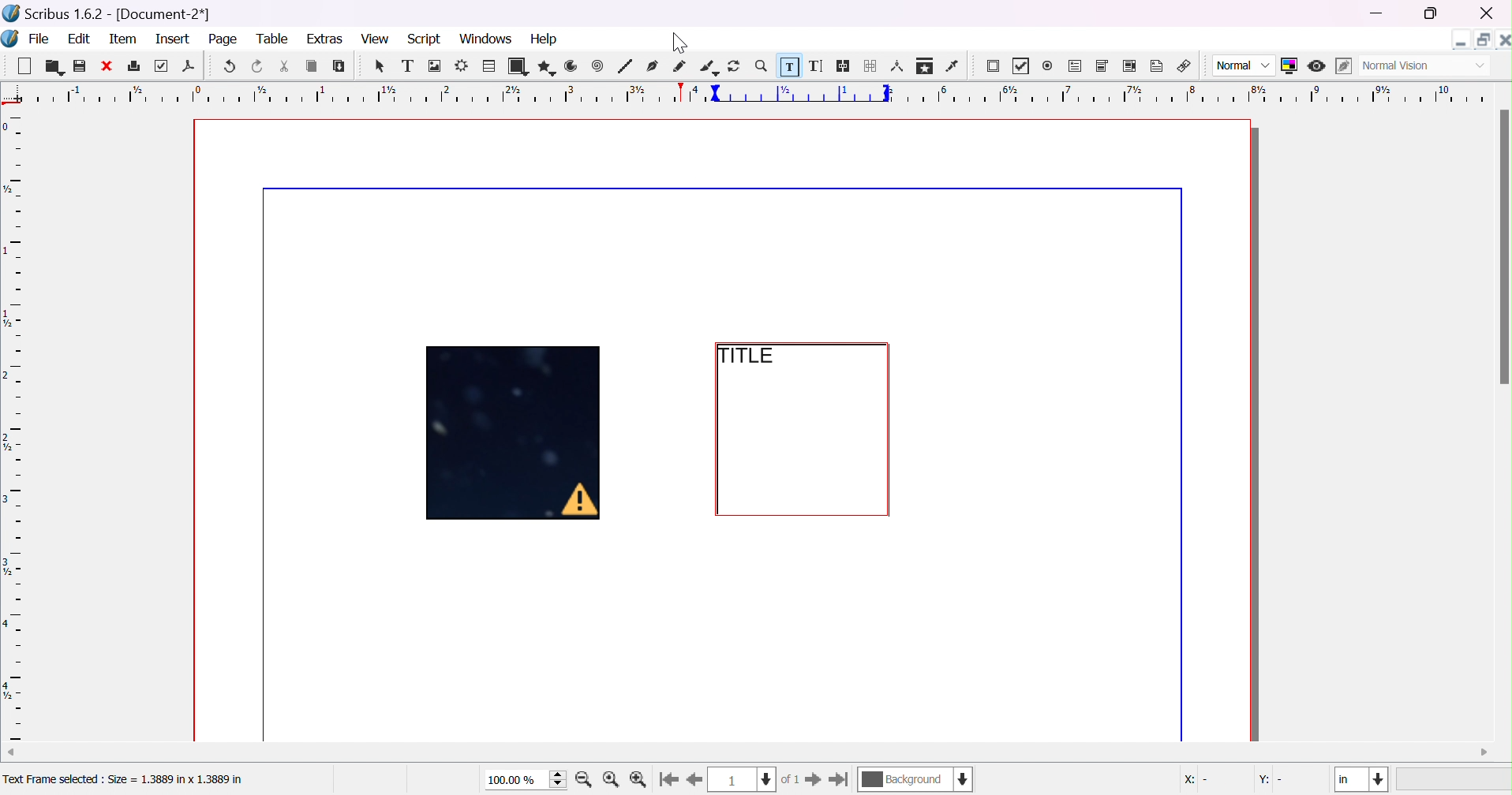 The width and height of the screenshot is (1512, 795). Describe the element at coordinates (1319, 66) in the screenshot. I see `preview mode` at that location.